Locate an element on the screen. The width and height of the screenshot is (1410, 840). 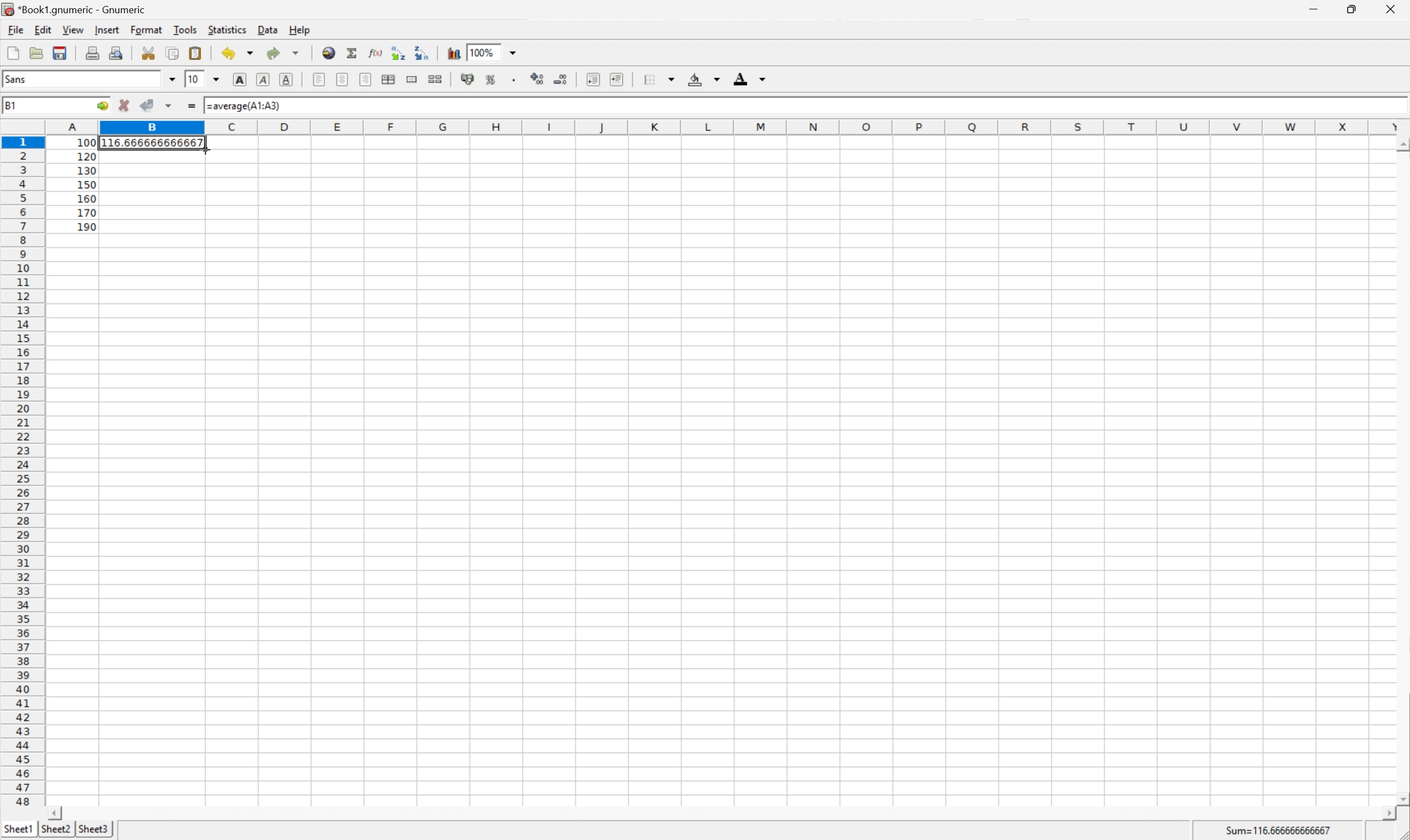
File is located at coordinates (15, 30).